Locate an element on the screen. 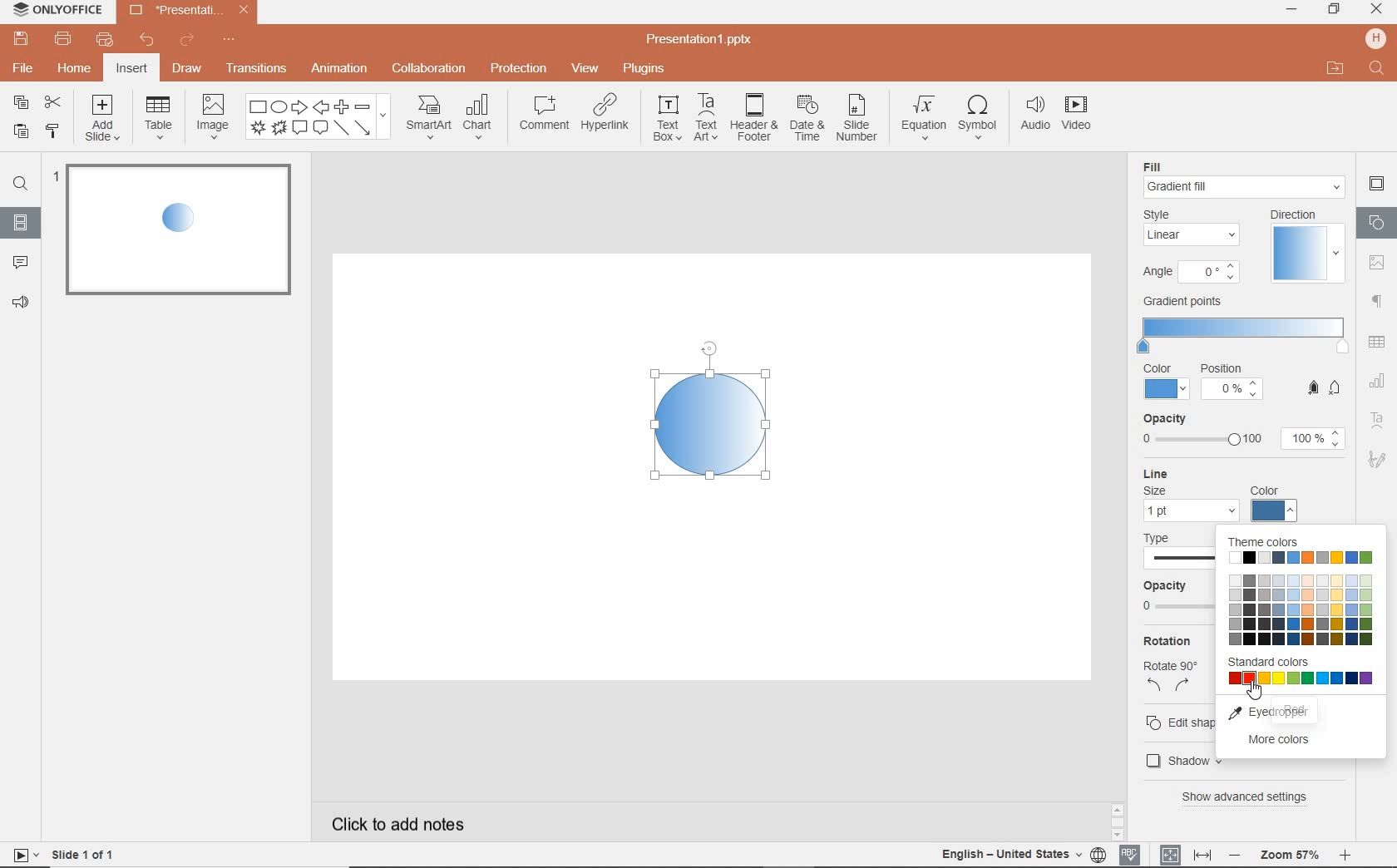  SHOW ADVANCED SETTINGS is located at coordinates (1249, 796).